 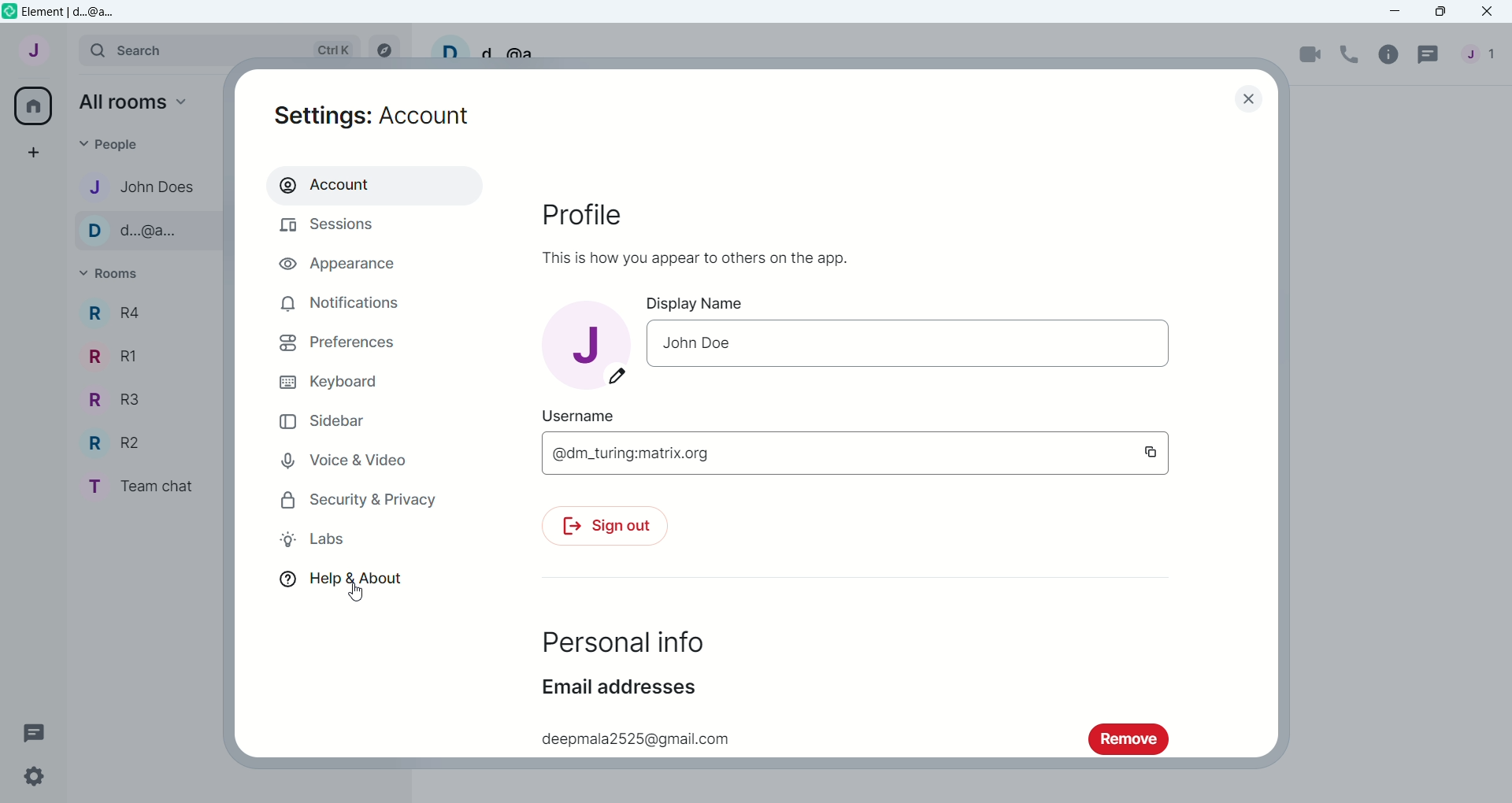 I want to click on cursor, so click(x=362, y=592).